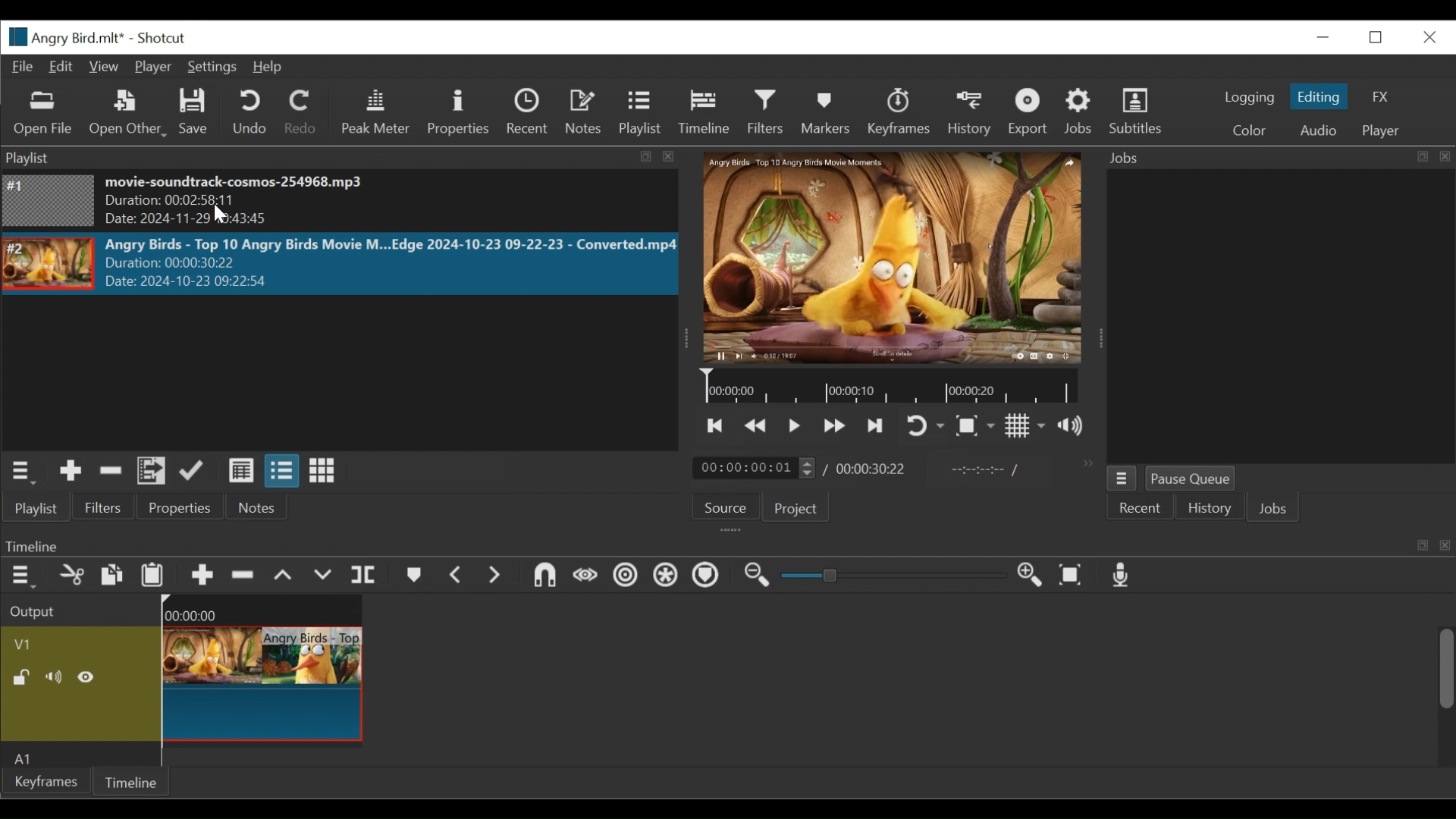 This screenshot has width=1456, height=819. What do you see at coordinates (1250, 97) in the screenshot?
I see `logging` at bounding box center [1250, 97].